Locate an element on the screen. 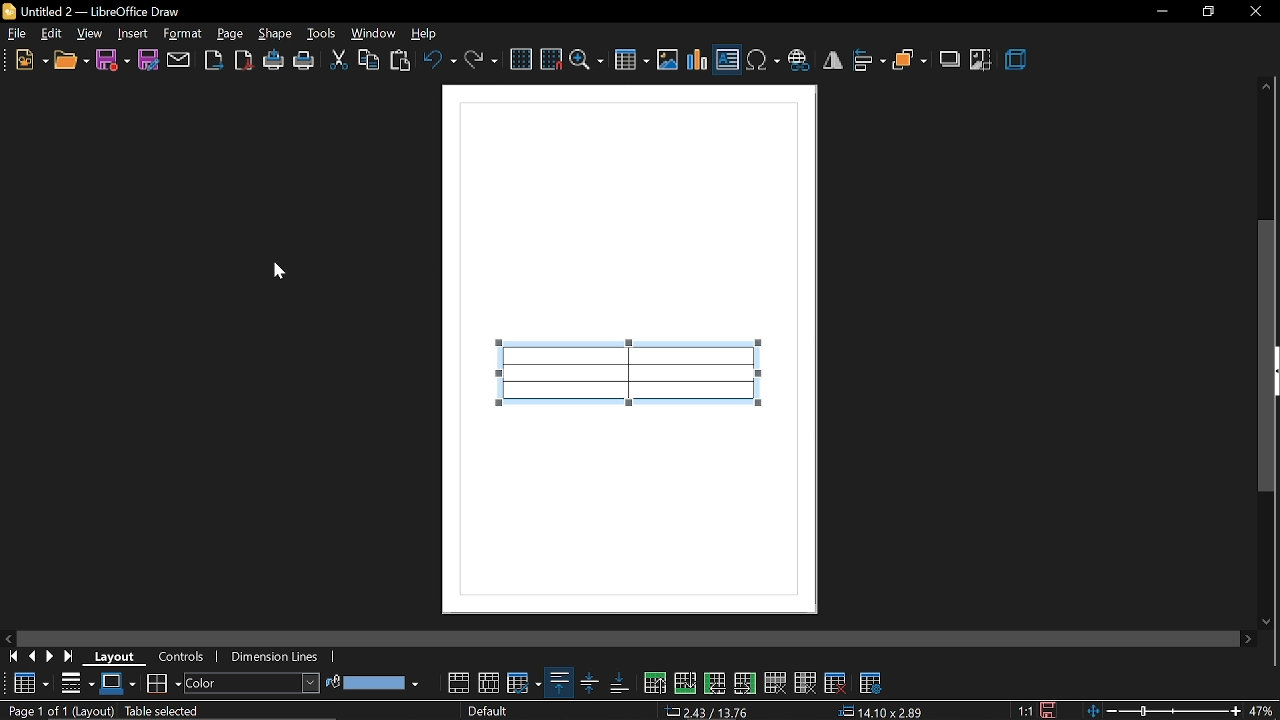 The width and height of the screenshot is (1280, 720). tools is located at coordinates (323, 34).